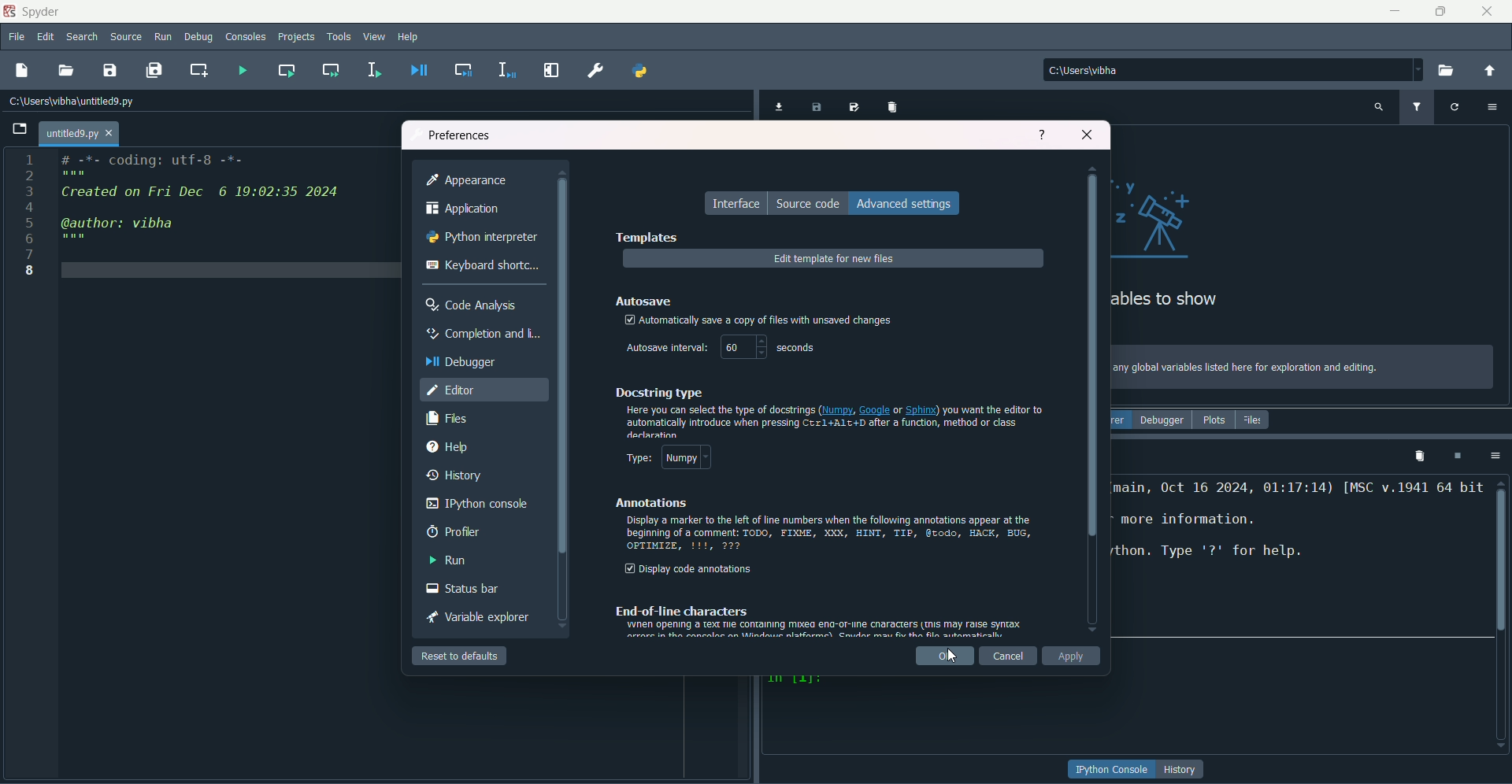 This screenshot has width=1512, height=784. Describe the element at coordinates (791, 317) in the screenshot. I see `text` at that location.